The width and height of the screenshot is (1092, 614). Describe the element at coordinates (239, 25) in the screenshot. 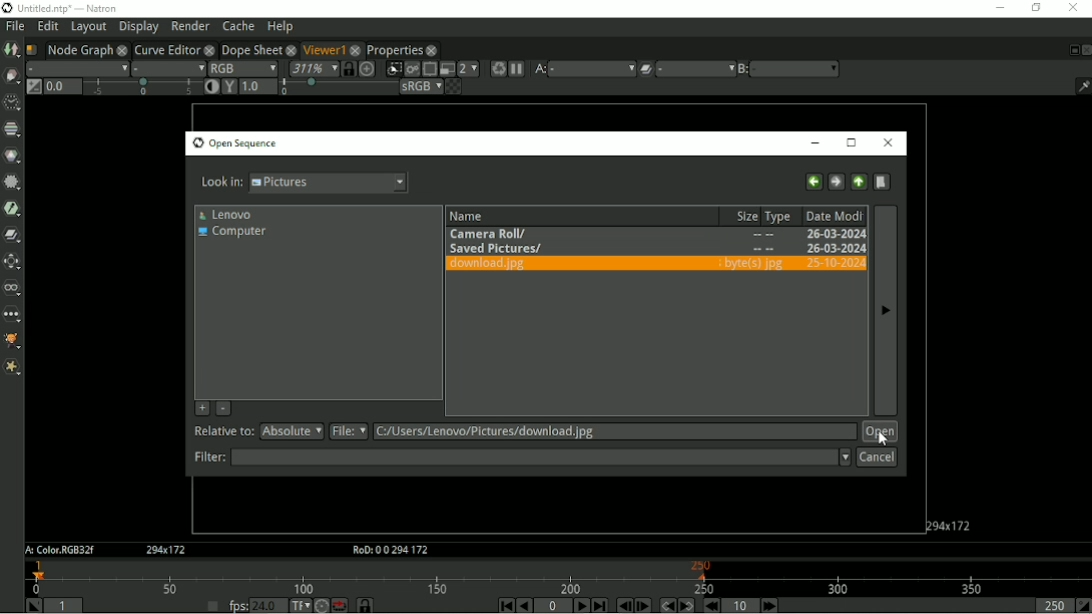

I see `Cache` at that location.